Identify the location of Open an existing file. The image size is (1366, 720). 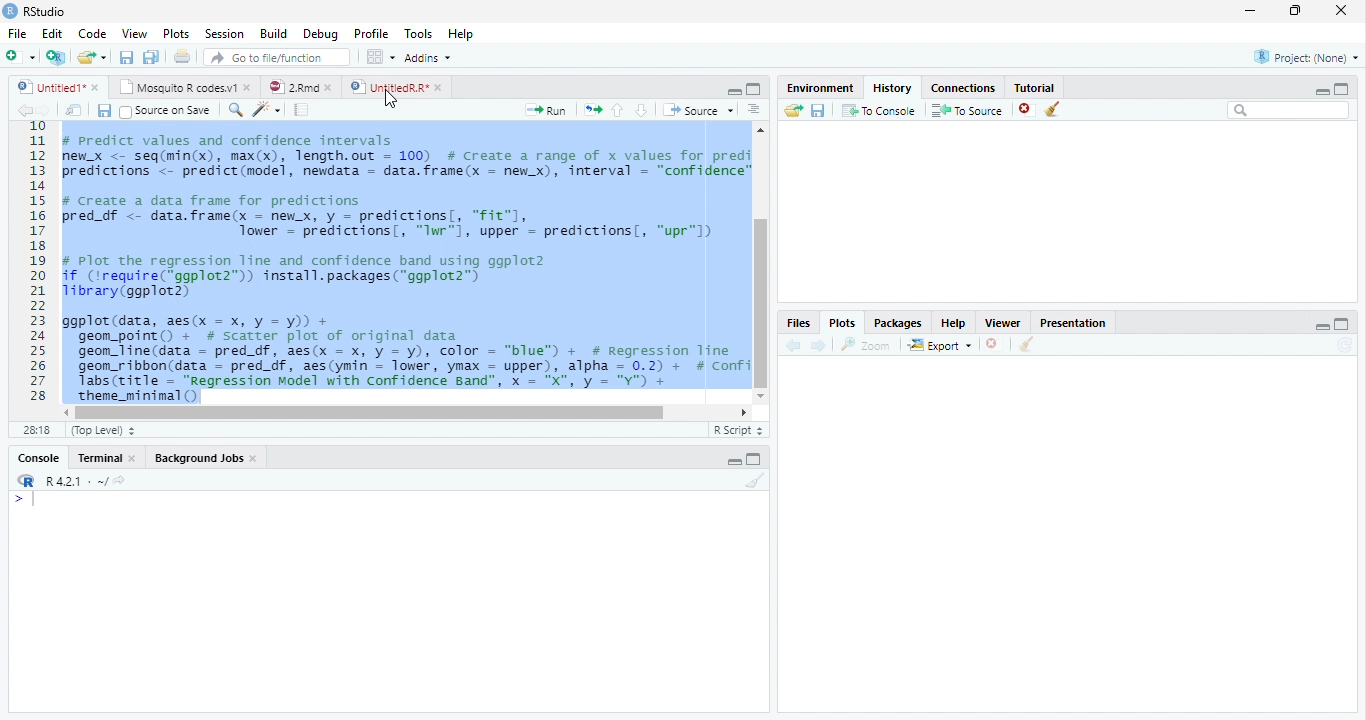
(95, 59).